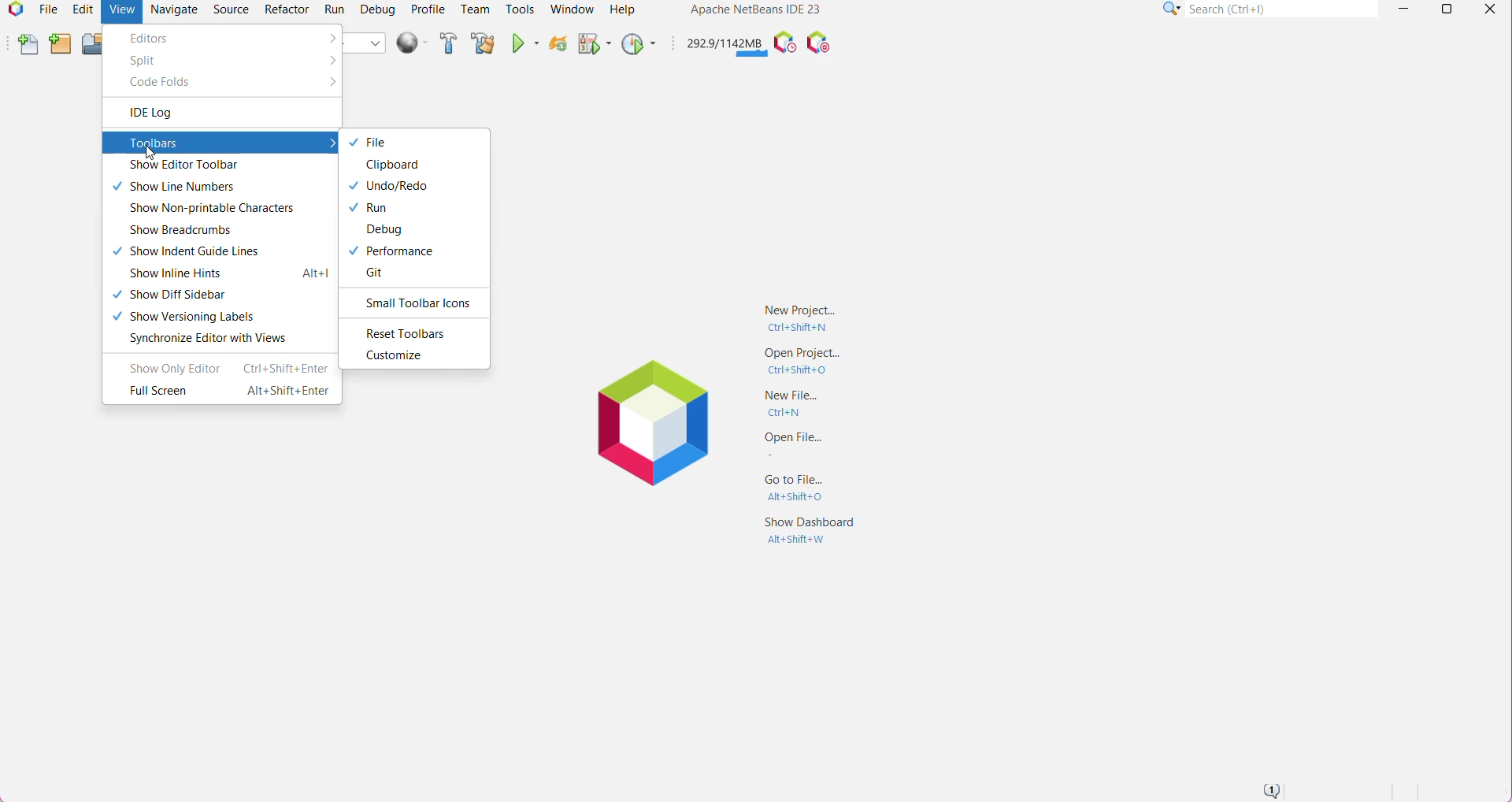  Describe the element at coordinates (406, 334) in the screenshot. I see `Reset Toolbars` at that location.